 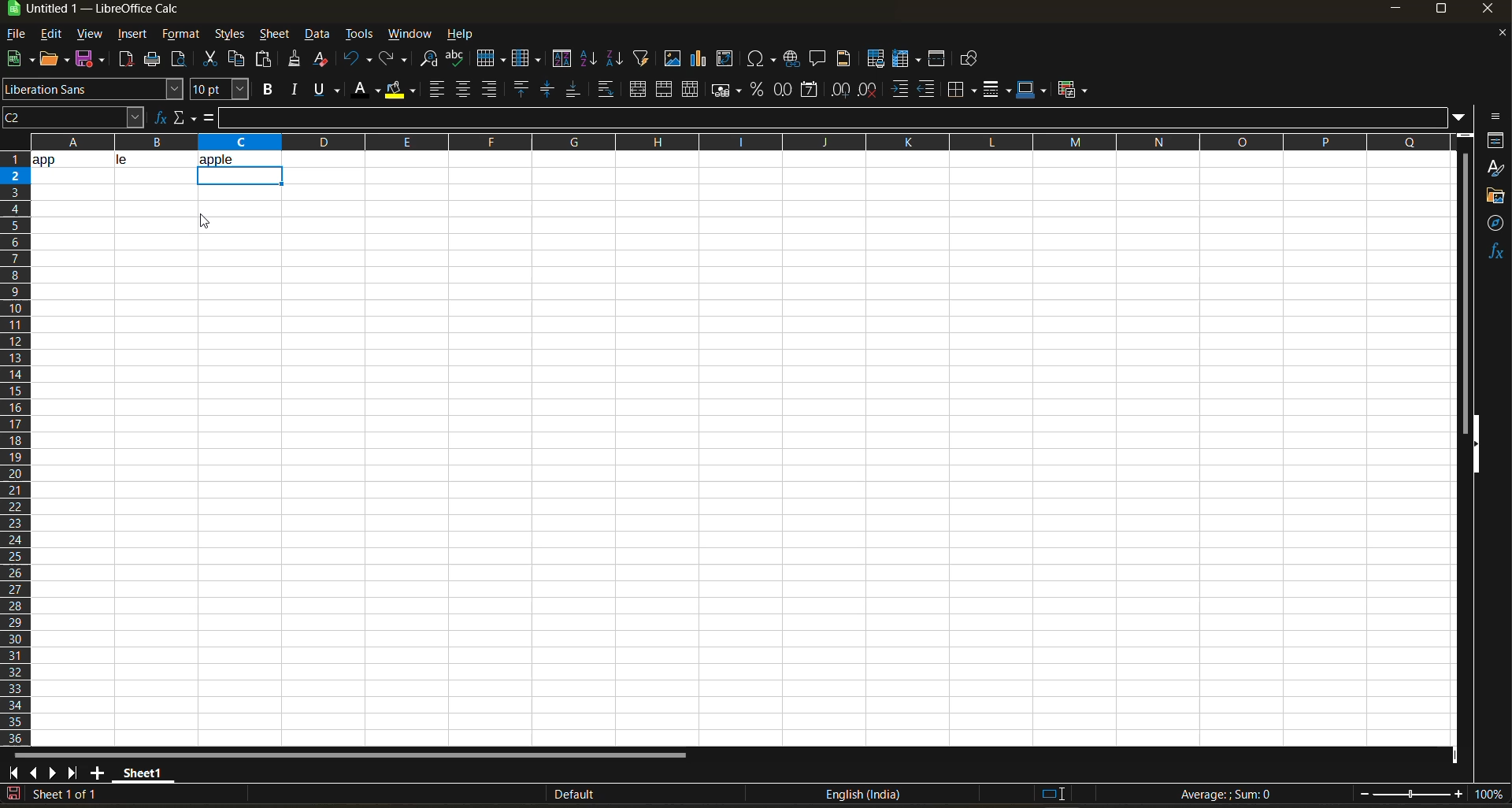 What do you see at coordinates (692, 90) in the screenshot?
I see `unmerge cells` at bounding box center [692, 90].